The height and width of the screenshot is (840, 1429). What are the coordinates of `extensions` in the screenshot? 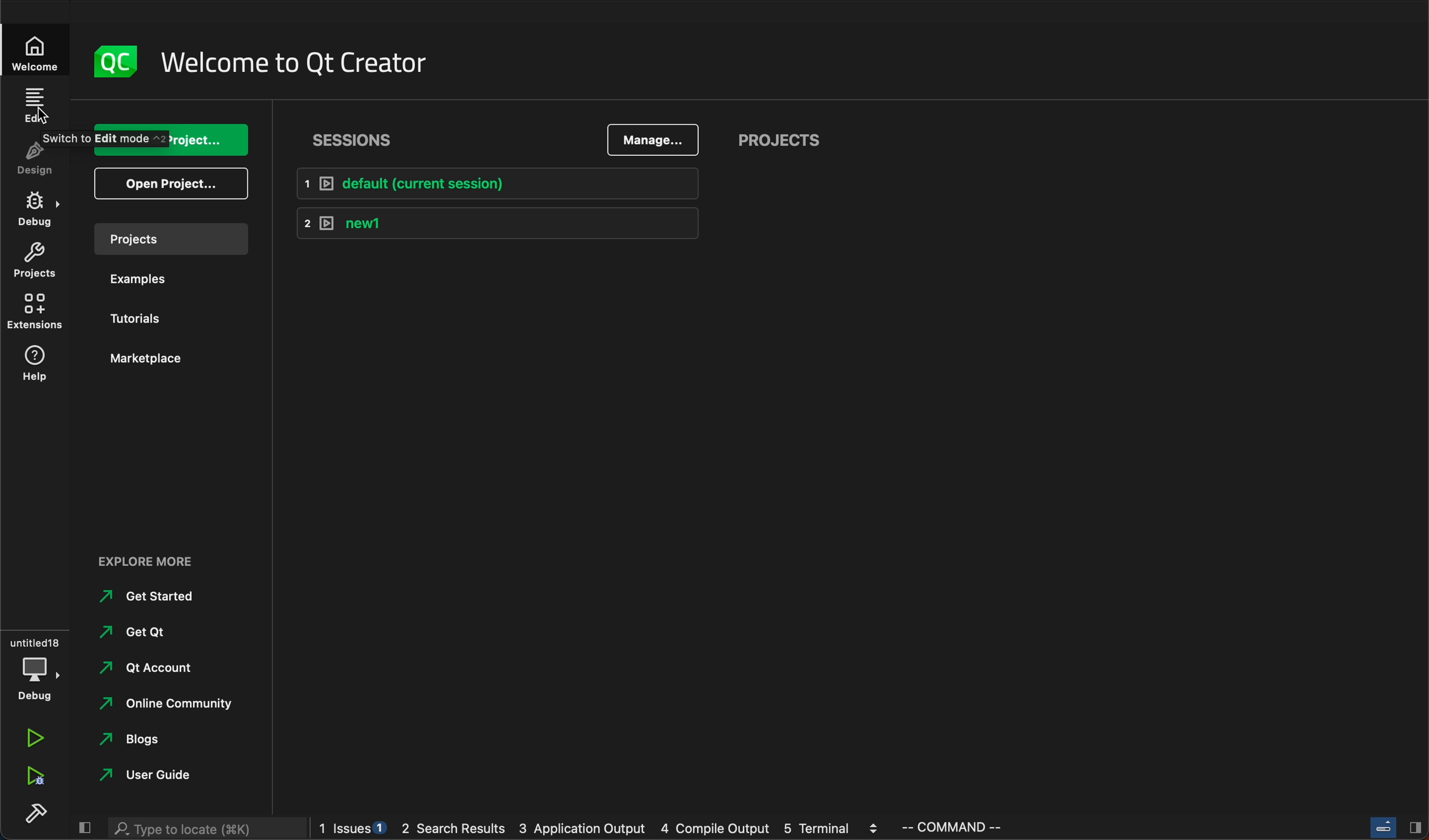 It's located at (35, 309).